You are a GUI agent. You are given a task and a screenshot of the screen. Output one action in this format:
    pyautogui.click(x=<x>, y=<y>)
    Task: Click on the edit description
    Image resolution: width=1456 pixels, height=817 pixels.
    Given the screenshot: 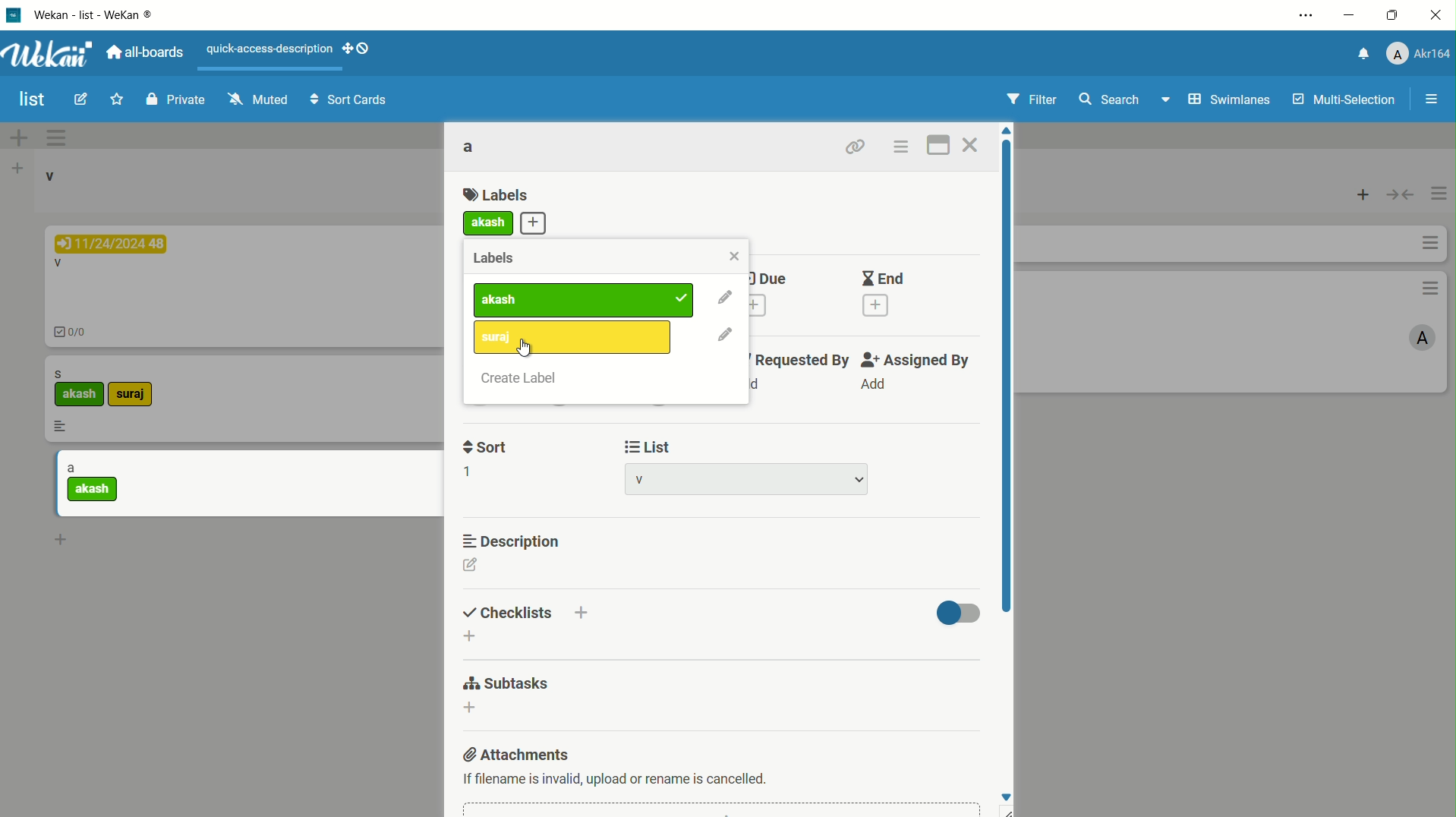 What is the action you would take?
    pyautogui.click(x=471, y=563)
    